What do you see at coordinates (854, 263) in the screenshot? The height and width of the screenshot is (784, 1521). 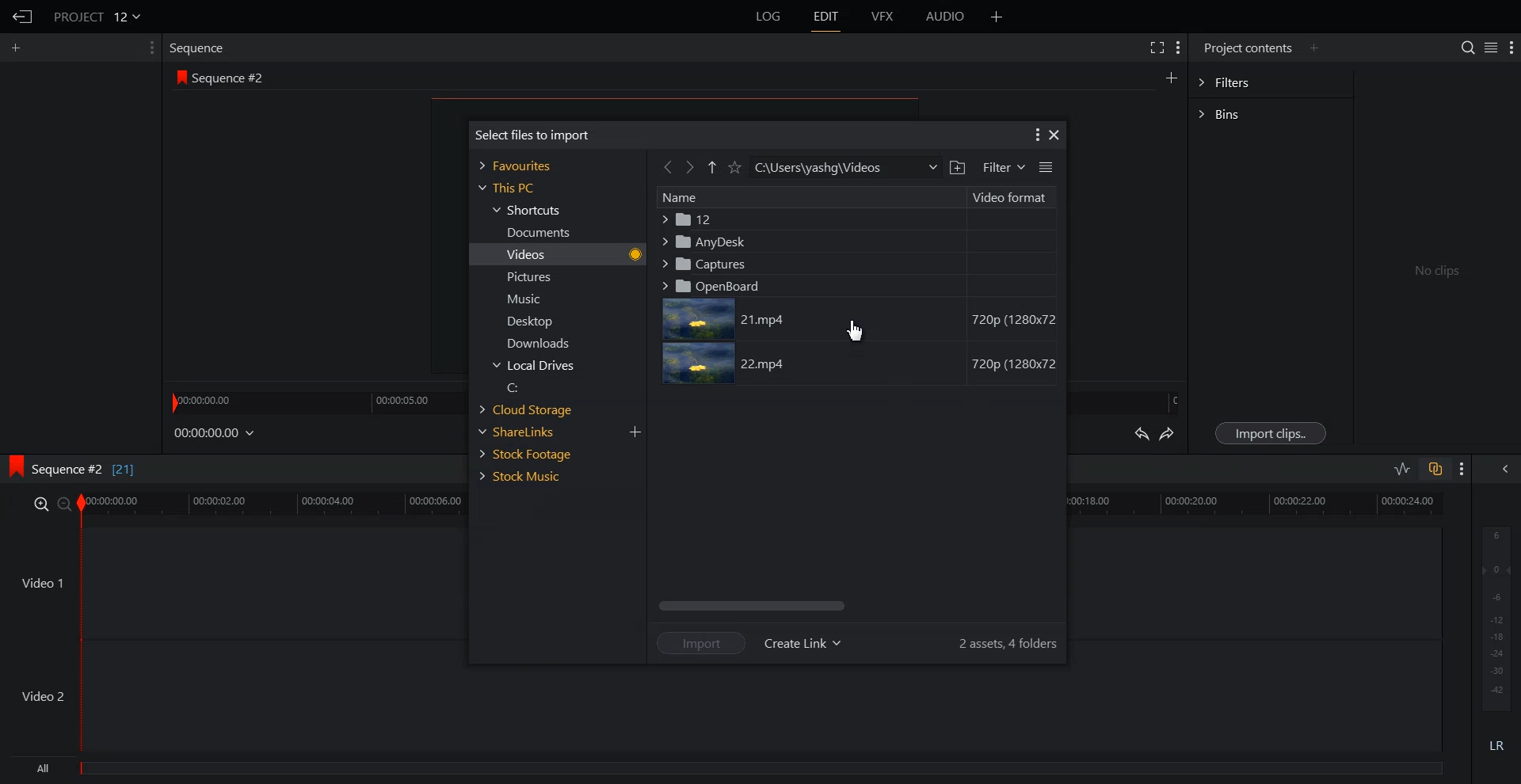 I see `Capture` at bounding box center [854, 263].